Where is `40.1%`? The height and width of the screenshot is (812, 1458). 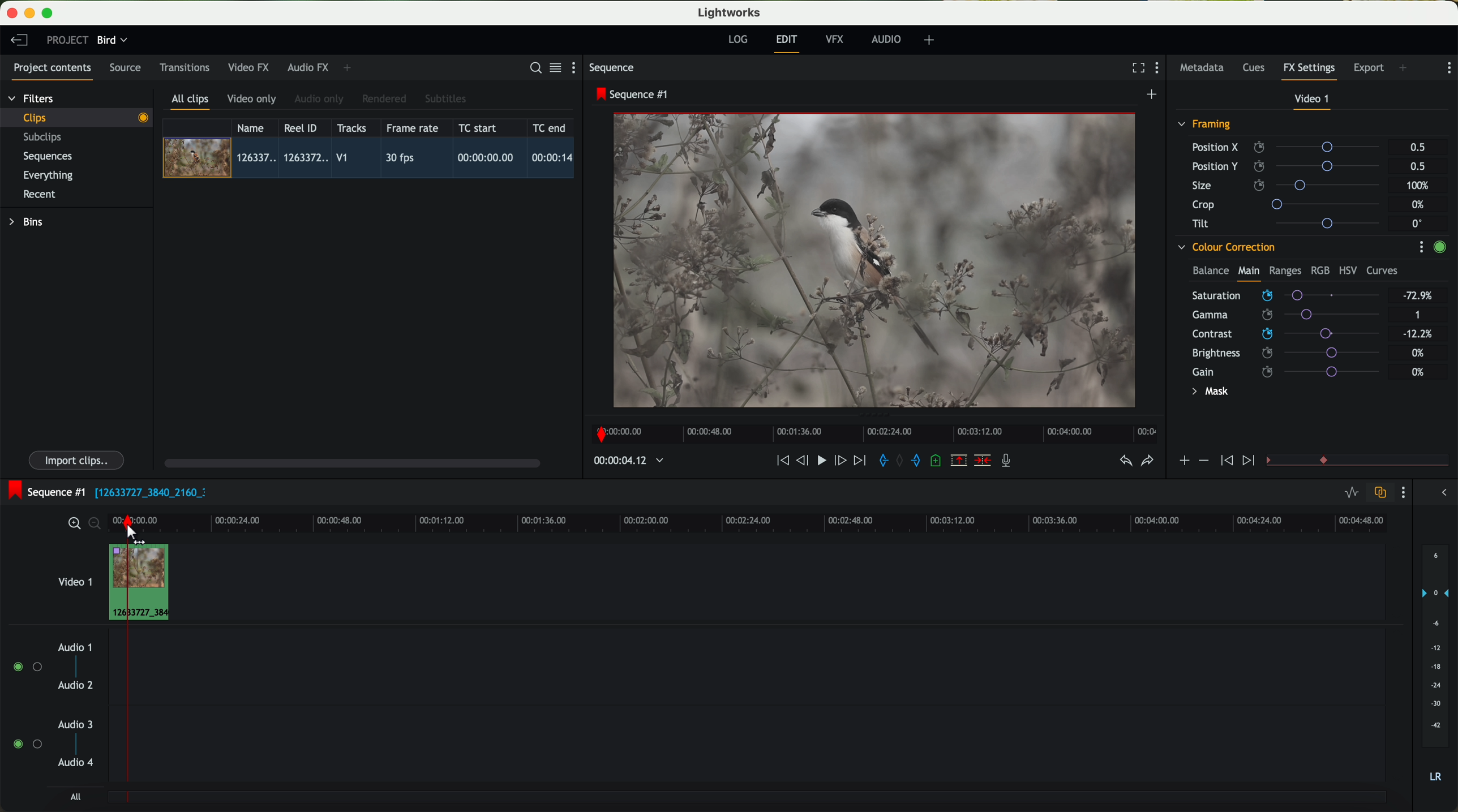
40.1% is located at coordinates (1421, 334).